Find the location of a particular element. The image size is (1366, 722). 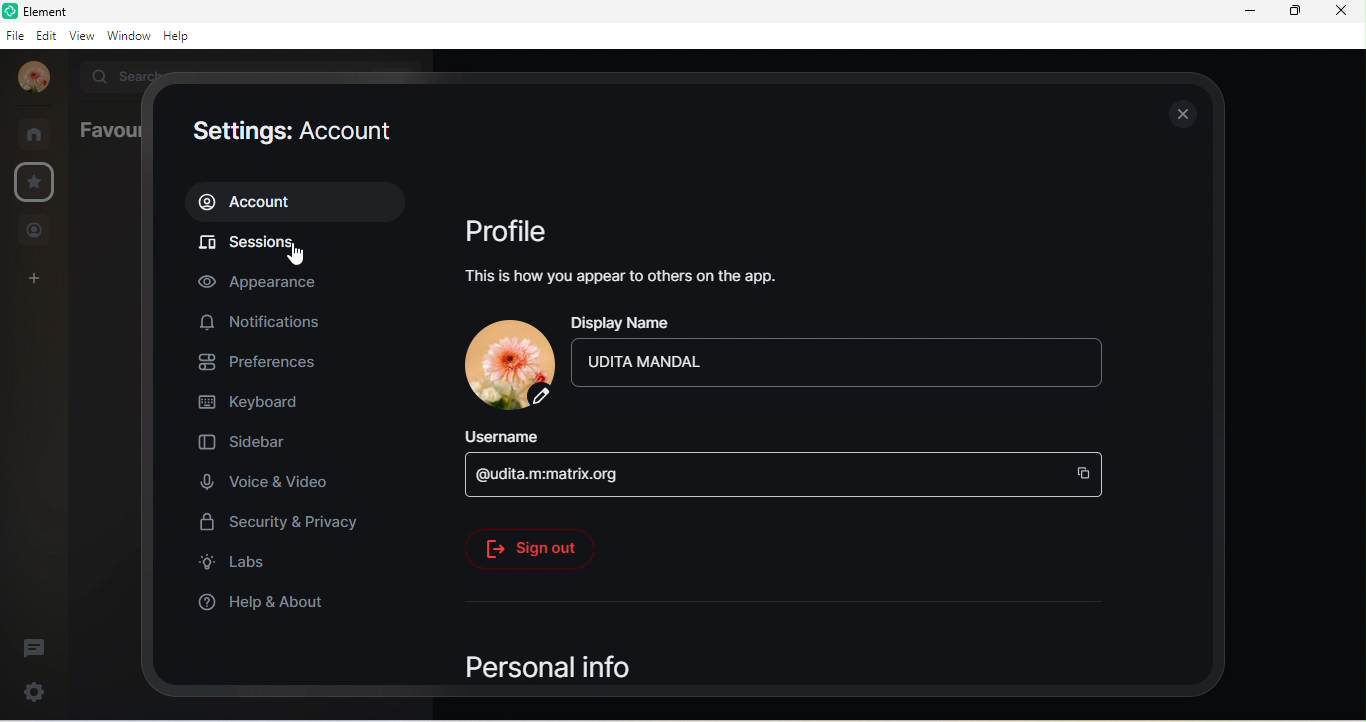

notification is located at coordinates (265, 320).